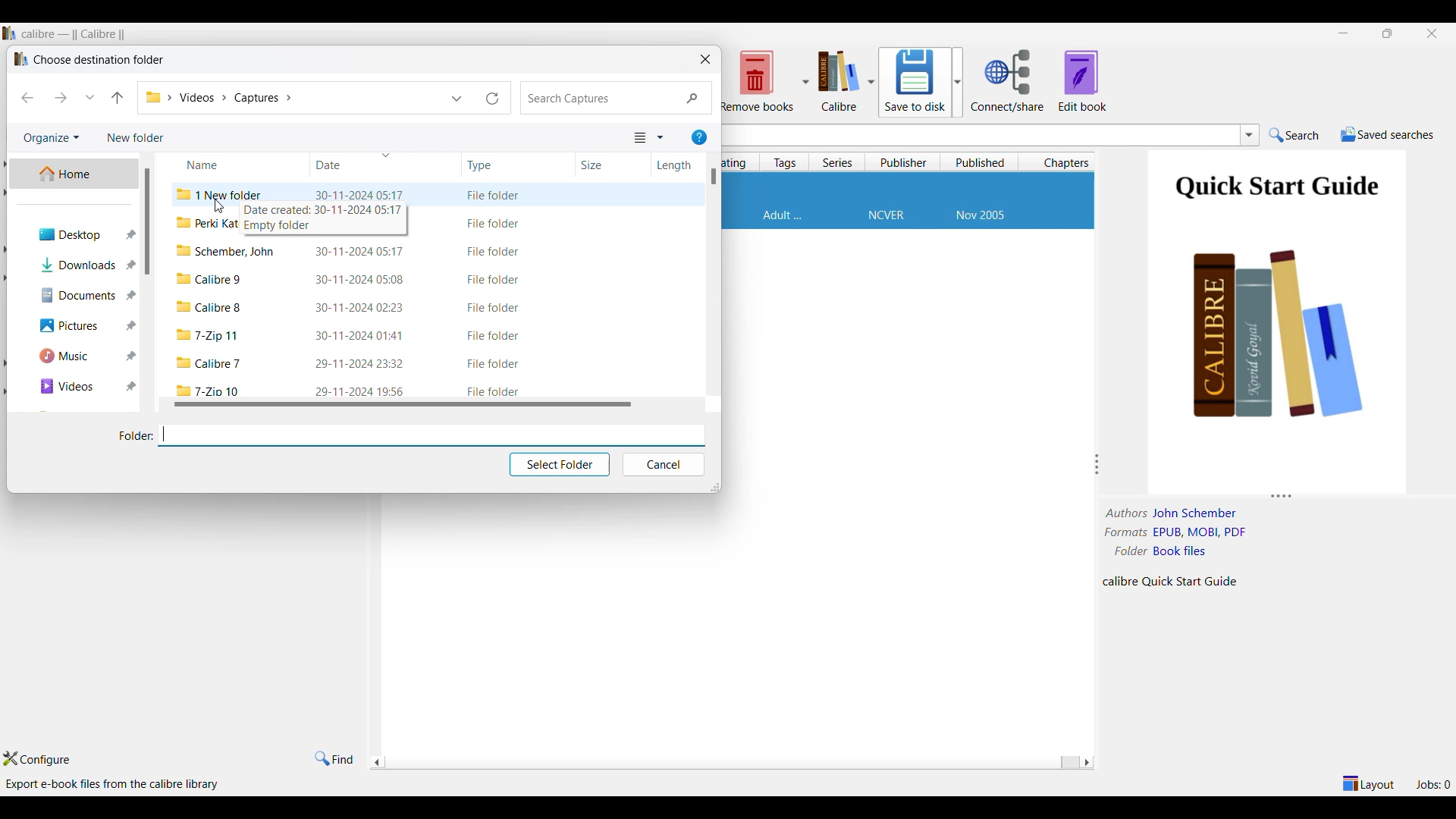  I want to click on date, so click(362, 309).